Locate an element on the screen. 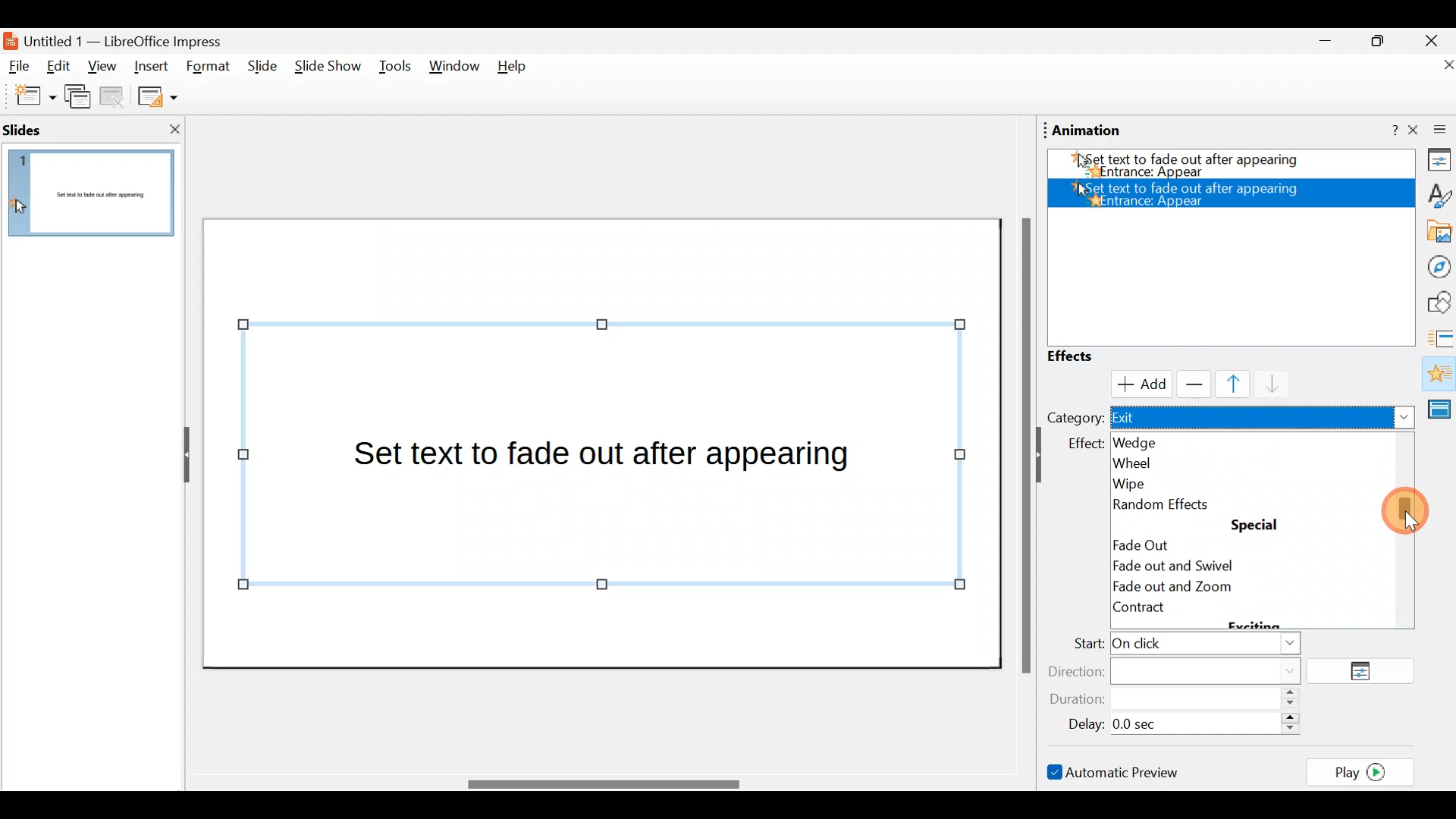  Play is located at coordinates (1365, 771).